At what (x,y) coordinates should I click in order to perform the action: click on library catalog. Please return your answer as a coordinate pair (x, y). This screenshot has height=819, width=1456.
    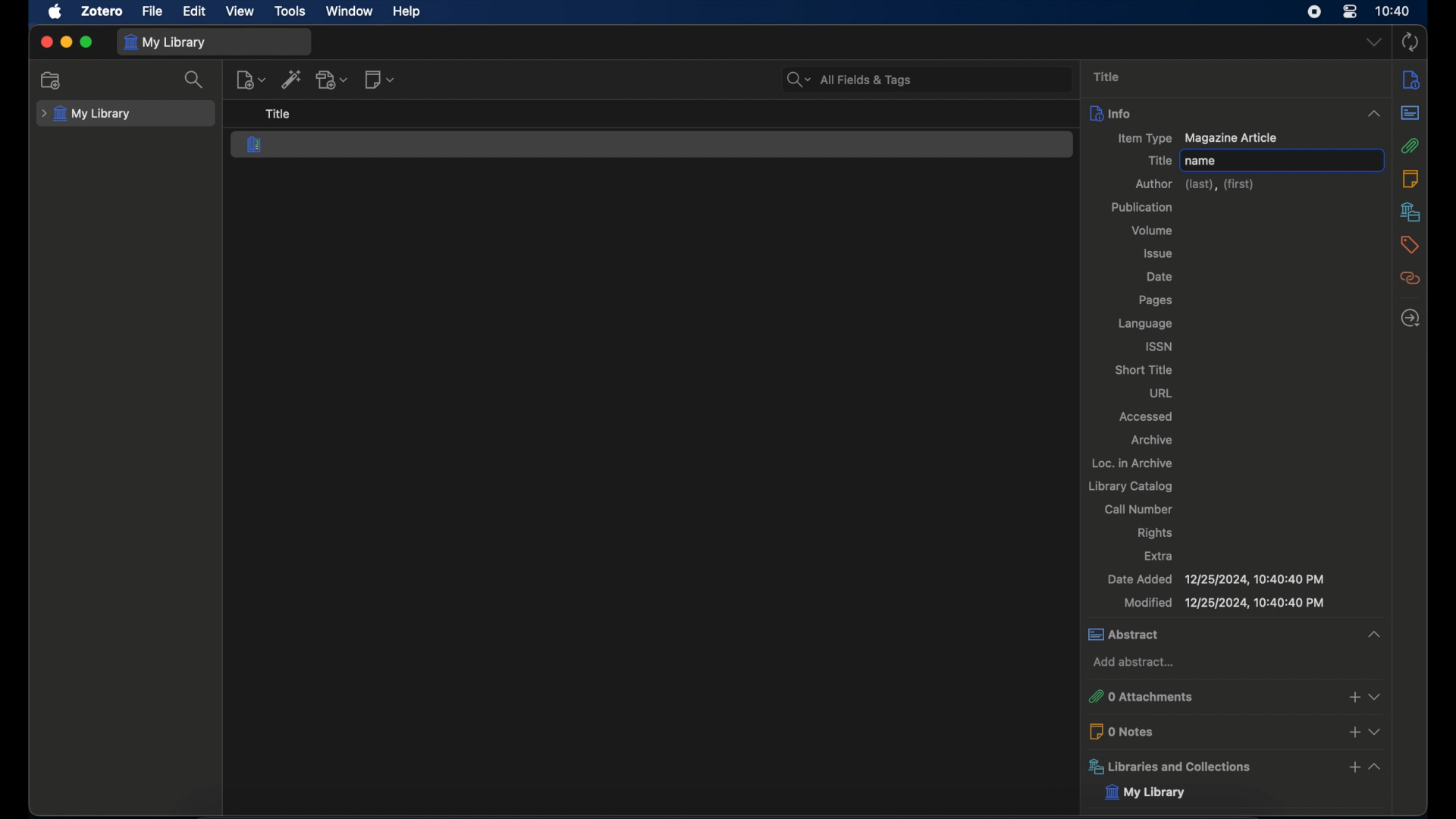
    Looking at the image, I should click on (1129, 486).